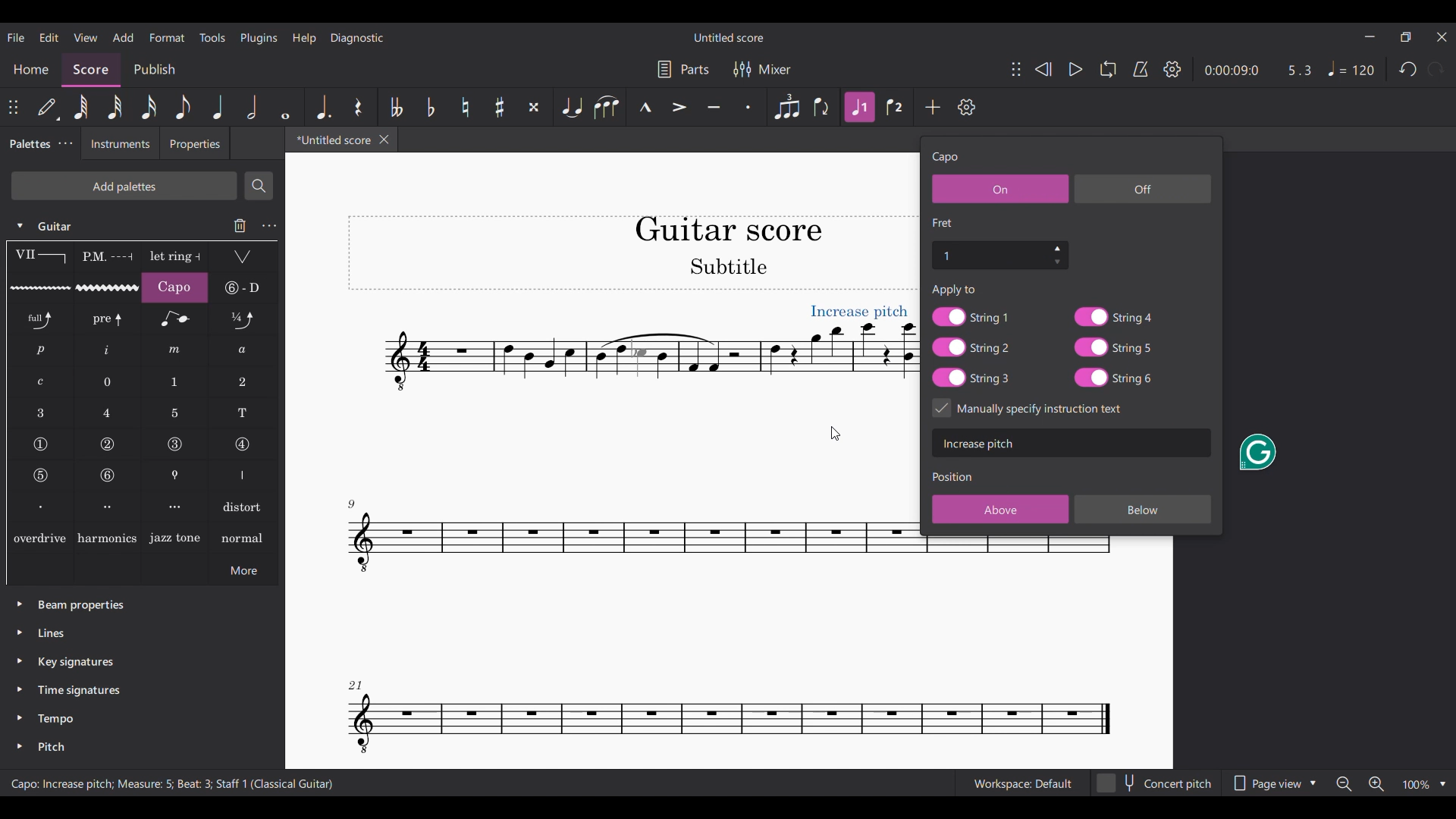 This screenshot has width=1456, height=819. I want to click on String number 1, so click(40, 444).